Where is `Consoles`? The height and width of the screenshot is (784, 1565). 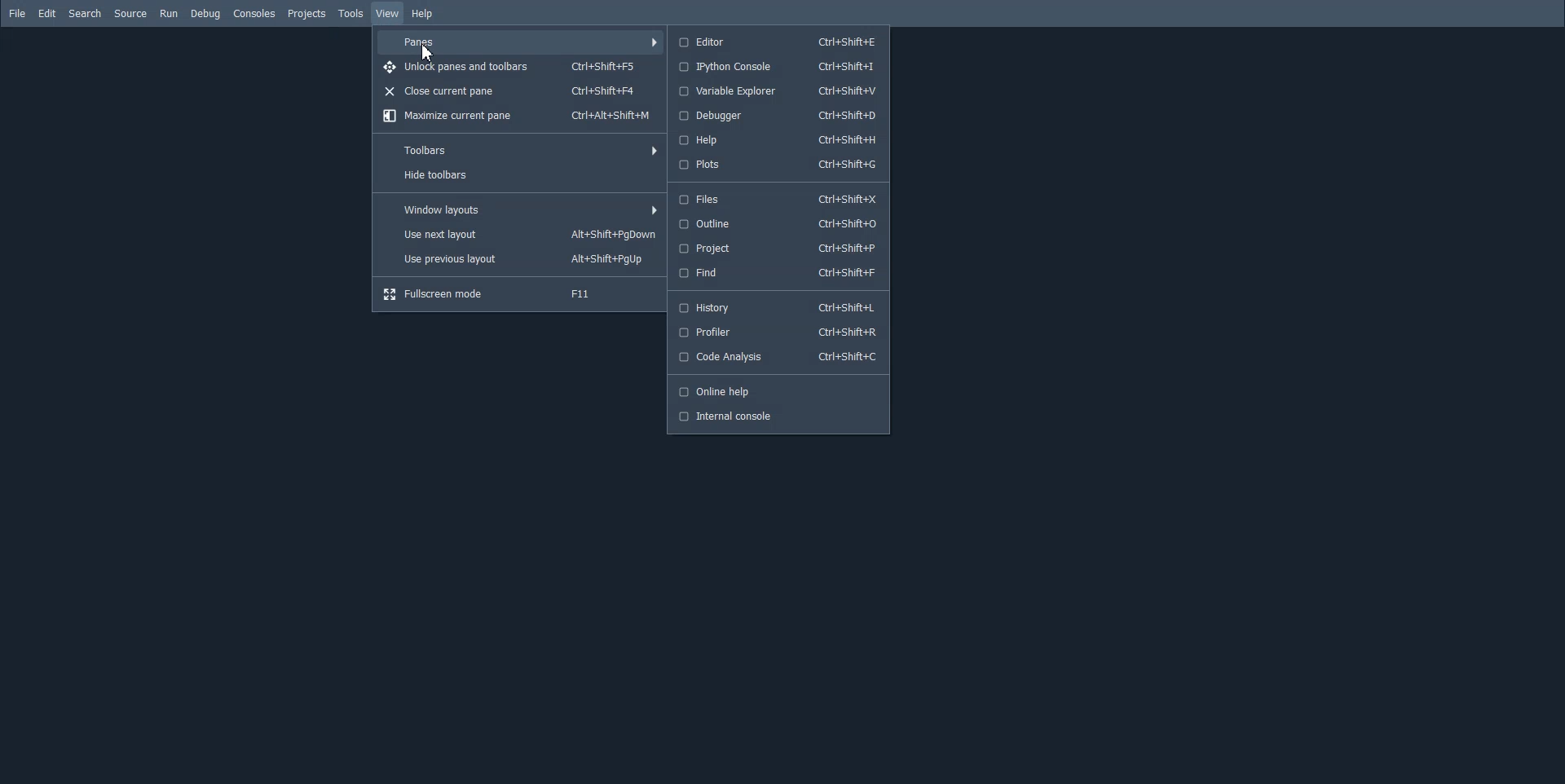 Consoles is located at coordinates (254, 14).